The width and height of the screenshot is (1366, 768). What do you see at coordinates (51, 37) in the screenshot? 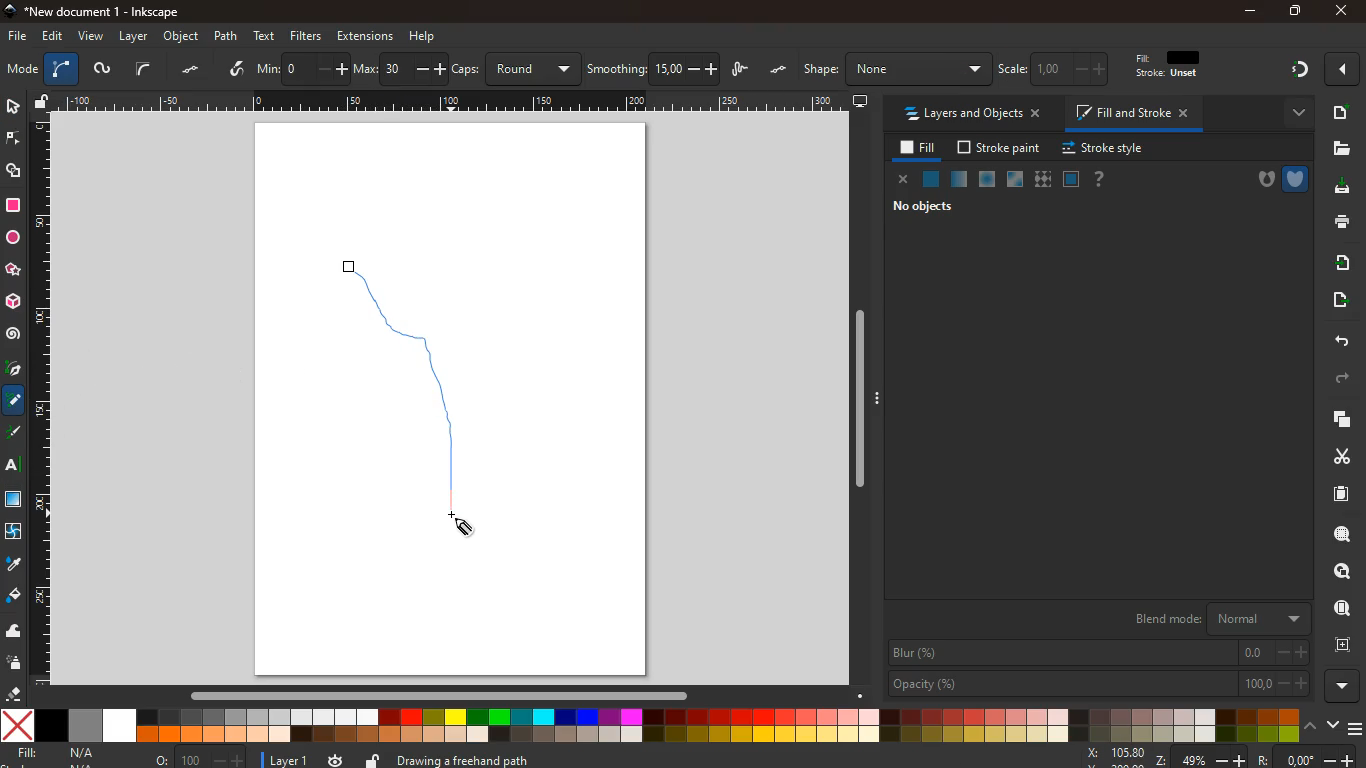
I see `edit` at bounding box center [51, 37].